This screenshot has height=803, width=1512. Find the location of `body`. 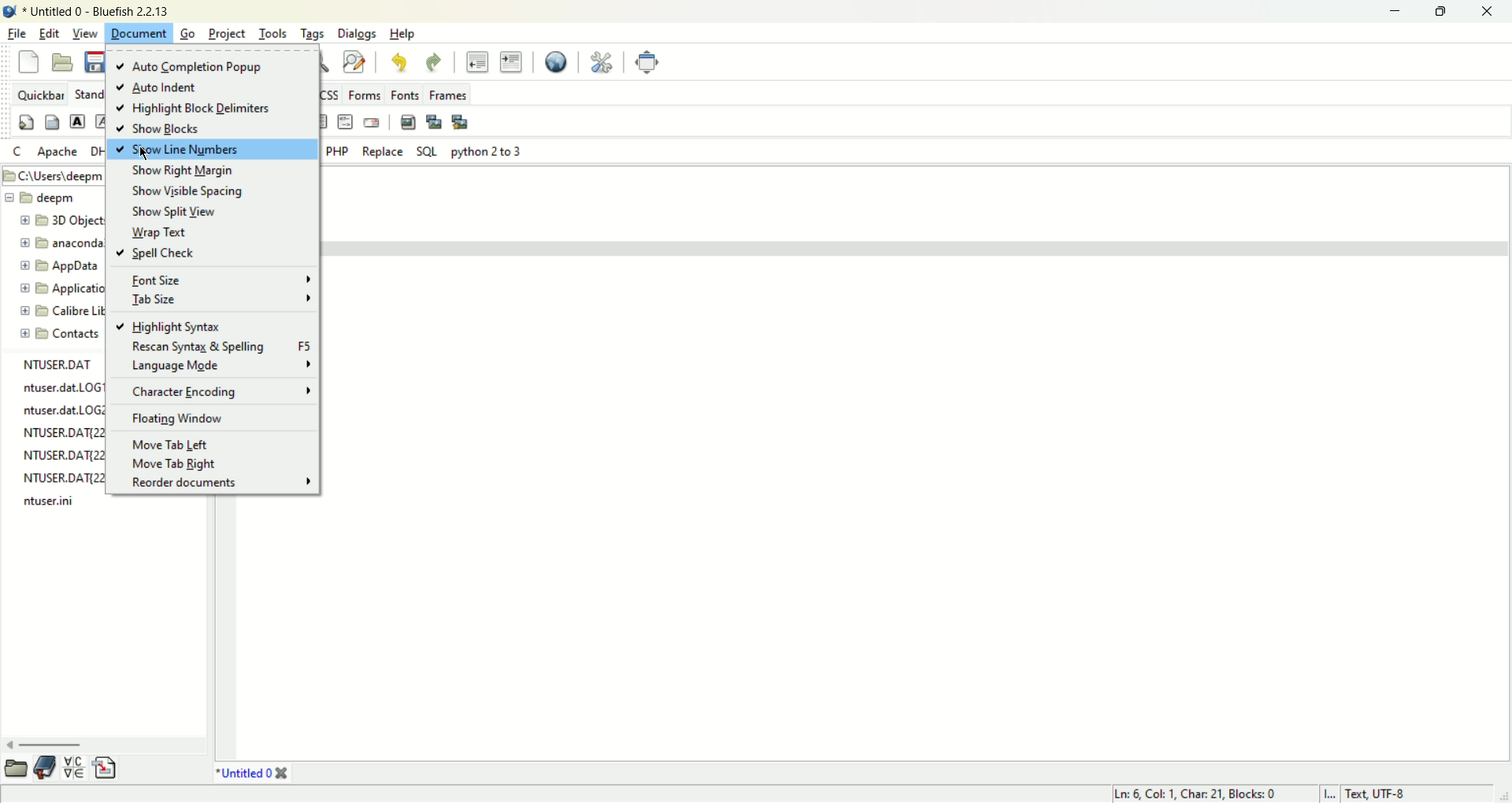

body is located at coordinates (50, 123).